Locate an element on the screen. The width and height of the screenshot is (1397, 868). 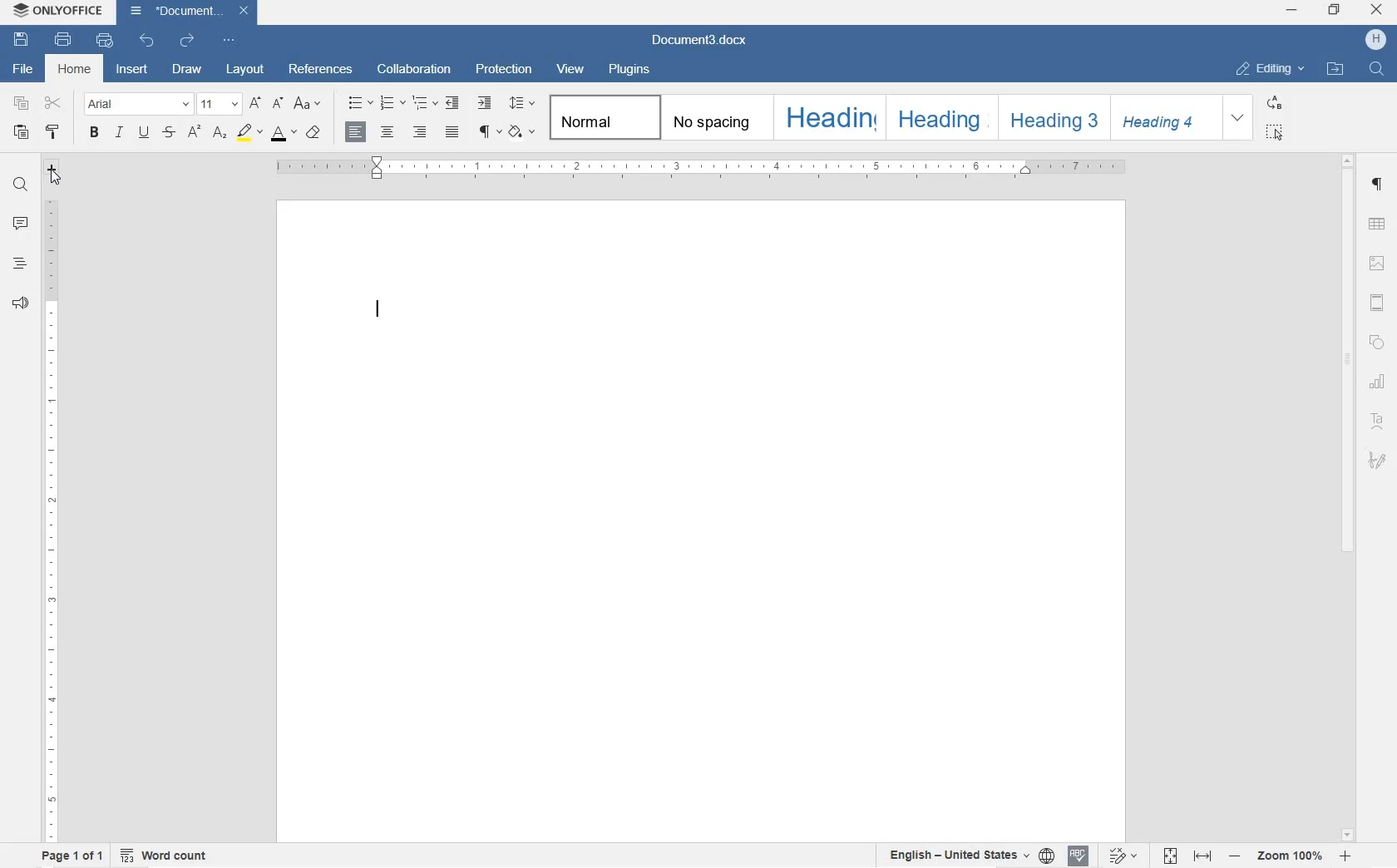
TAB is located at coordinates (53, 173).